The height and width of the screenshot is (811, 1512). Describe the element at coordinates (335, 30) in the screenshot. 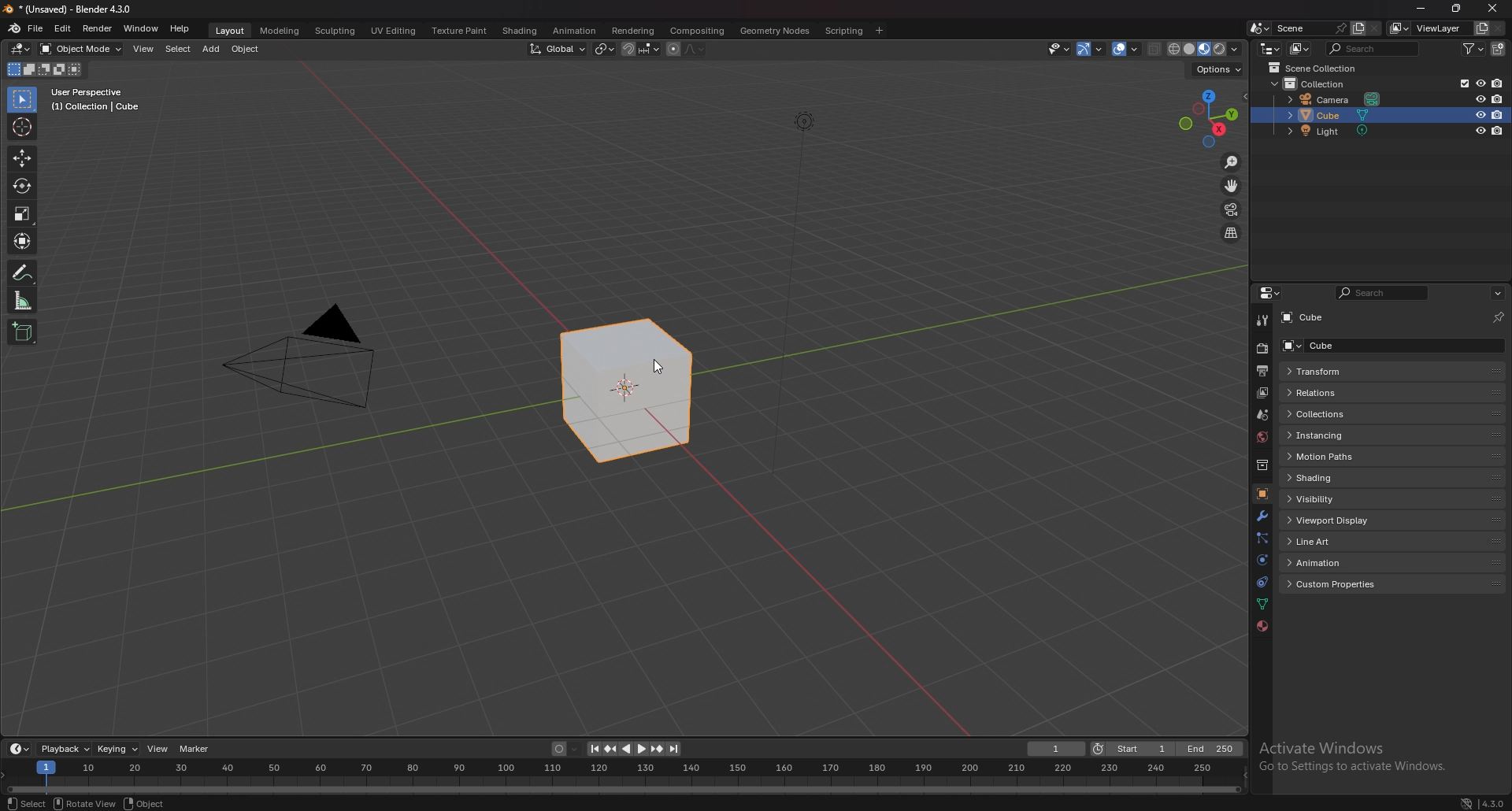

I see `sculpting` at that location.